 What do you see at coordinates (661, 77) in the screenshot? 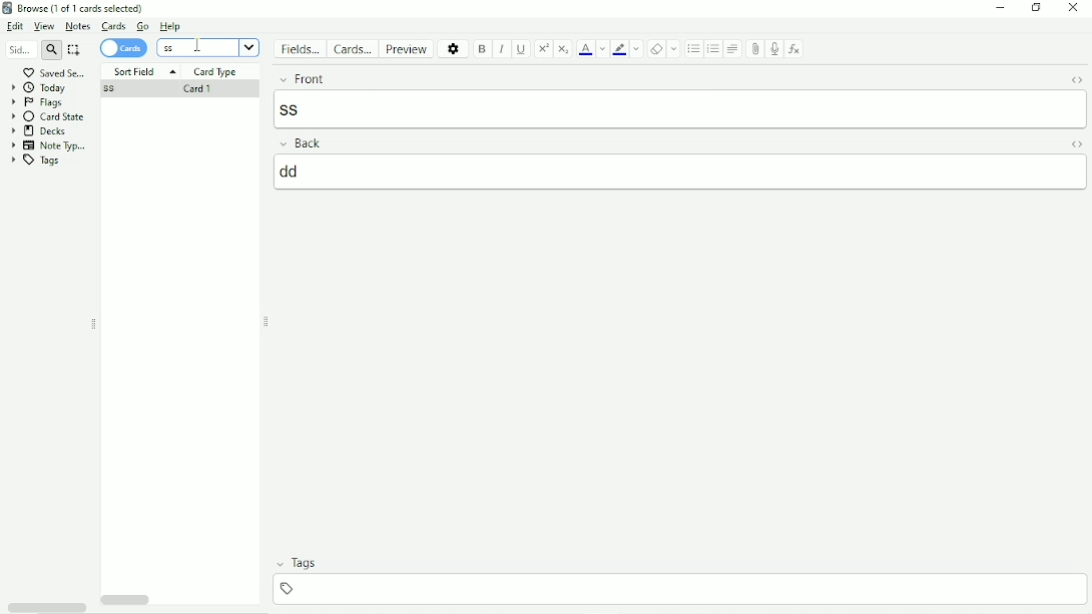
I see `Front` at bounding box center [661, 77].